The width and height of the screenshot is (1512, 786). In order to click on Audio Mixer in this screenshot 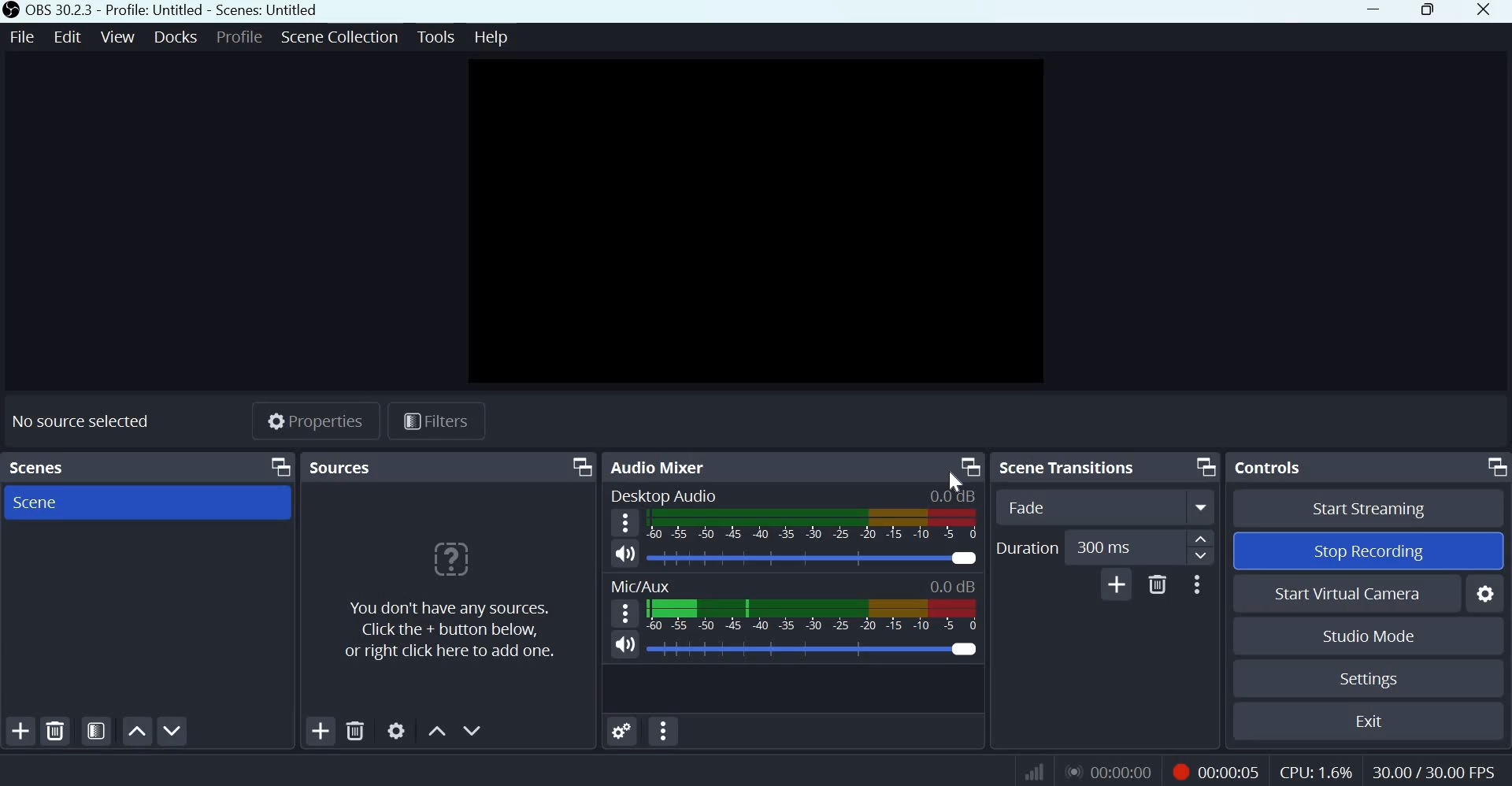, I will do `click(660, 467)`.